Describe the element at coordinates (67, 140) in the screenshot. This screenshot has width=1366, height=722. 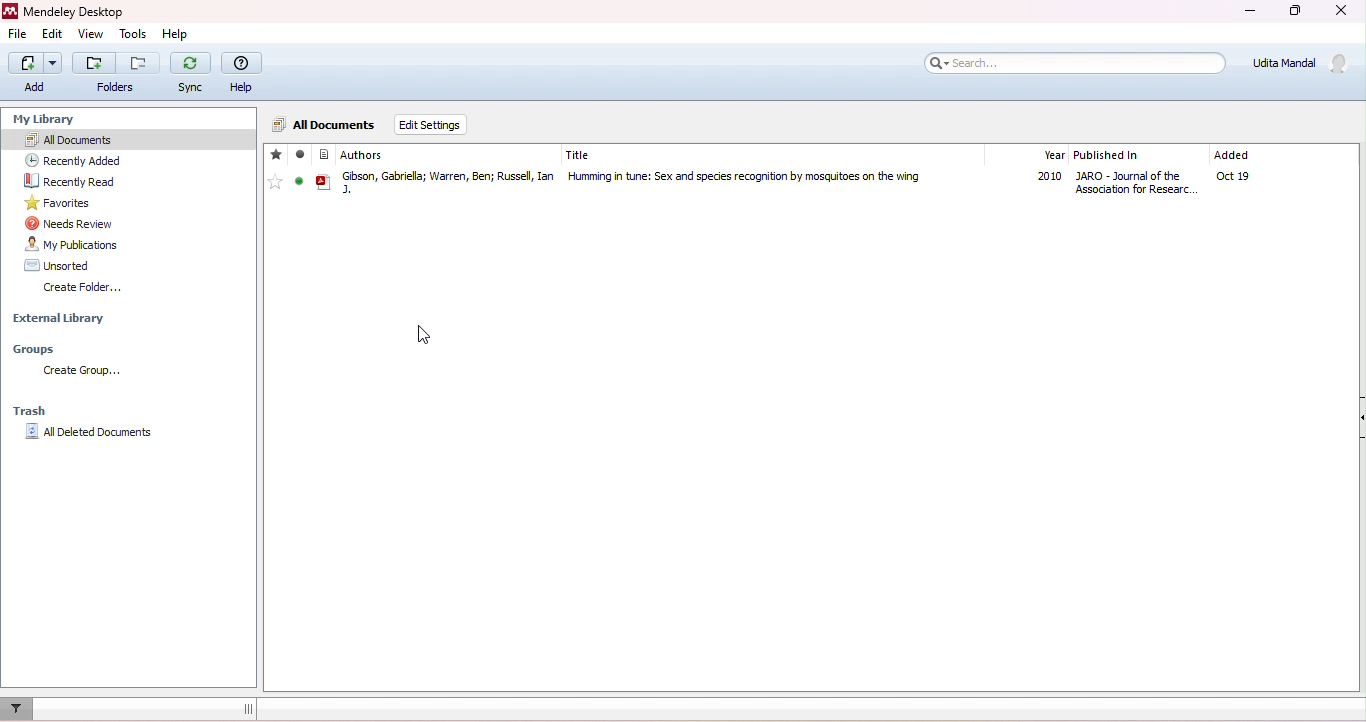
I see `all documents` at that location.